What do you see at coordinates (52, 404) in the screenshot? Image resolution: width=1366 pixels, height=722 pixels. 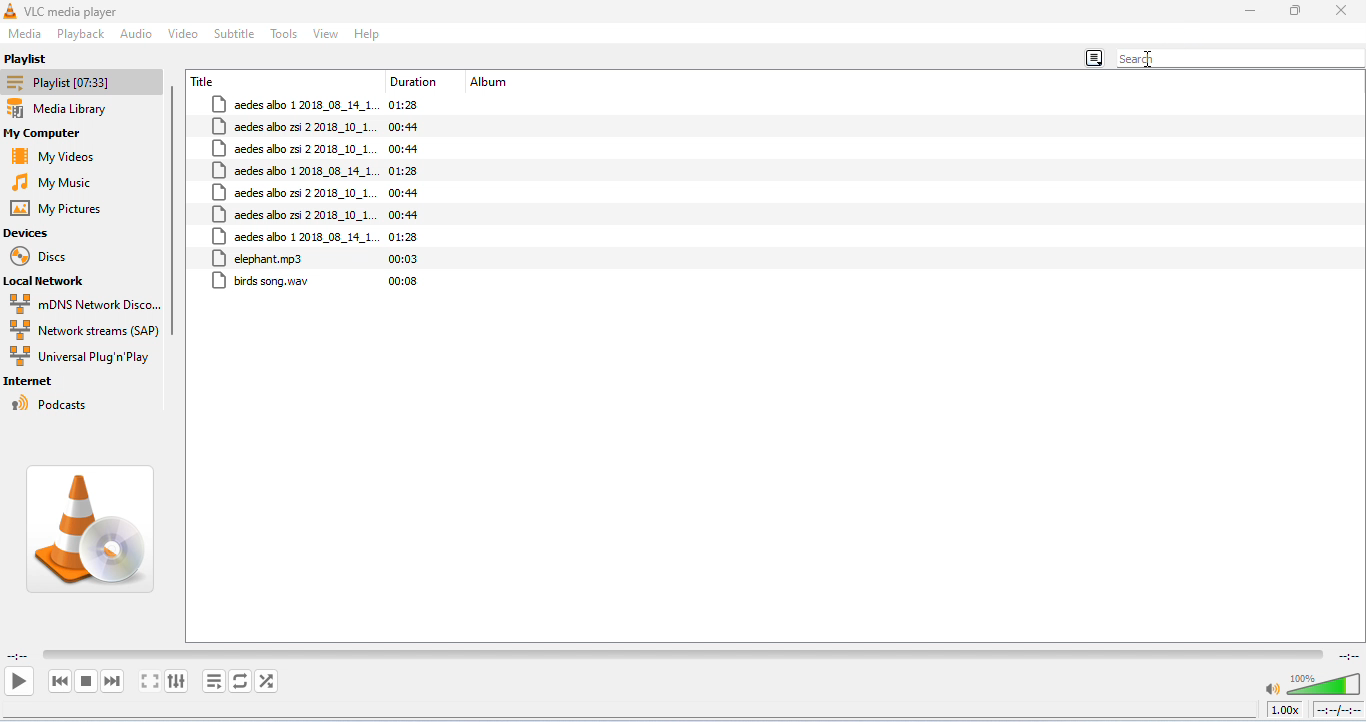 I see `podcasts` at bounding box center [52, 404].